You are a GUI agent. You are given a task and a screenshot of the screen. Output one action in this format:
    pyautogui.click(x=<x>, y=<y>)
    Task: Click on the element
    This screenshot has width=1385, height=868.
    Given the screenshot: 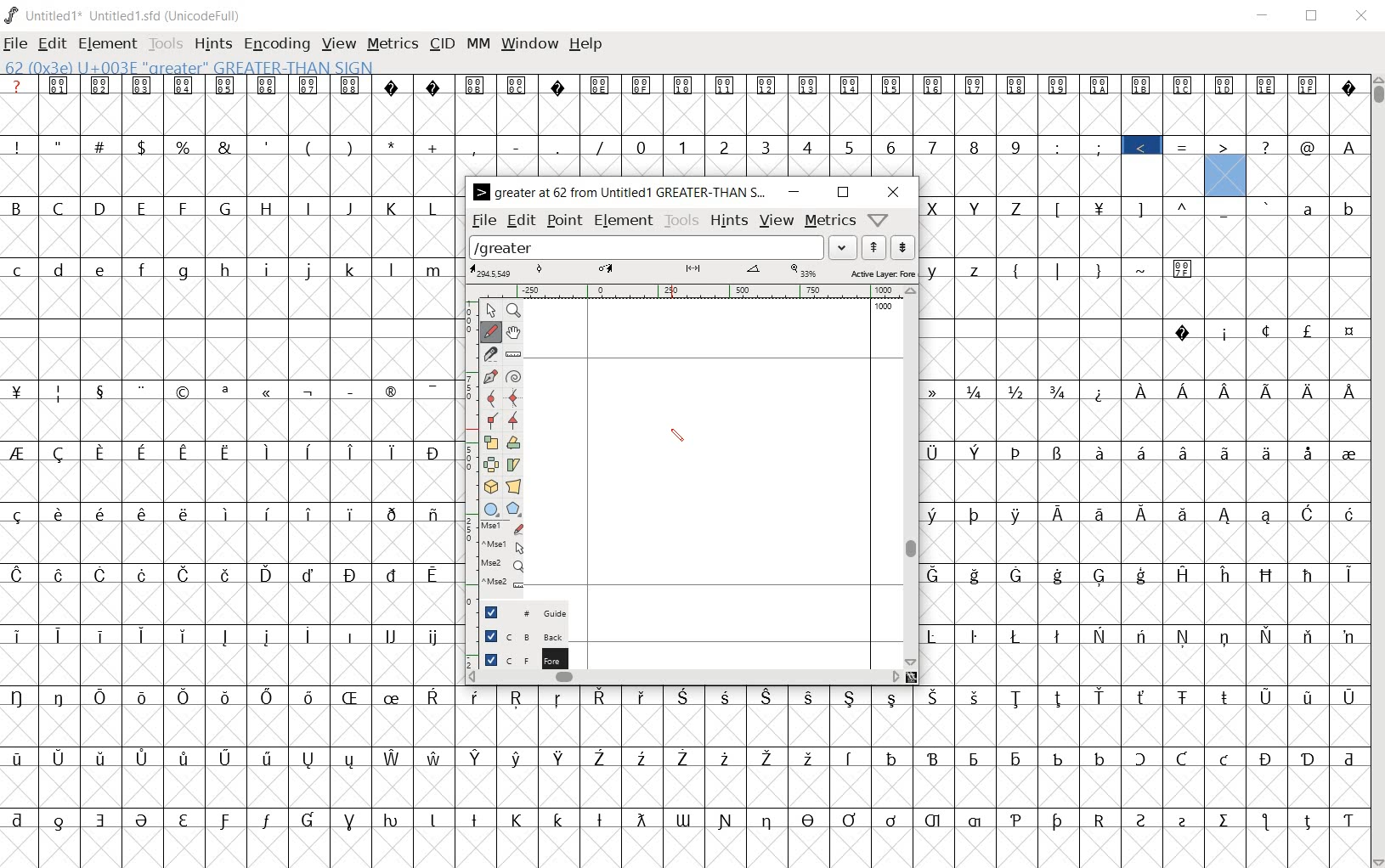 What is the action you would take?
    pyautogui.click(x=109, y=44)
    